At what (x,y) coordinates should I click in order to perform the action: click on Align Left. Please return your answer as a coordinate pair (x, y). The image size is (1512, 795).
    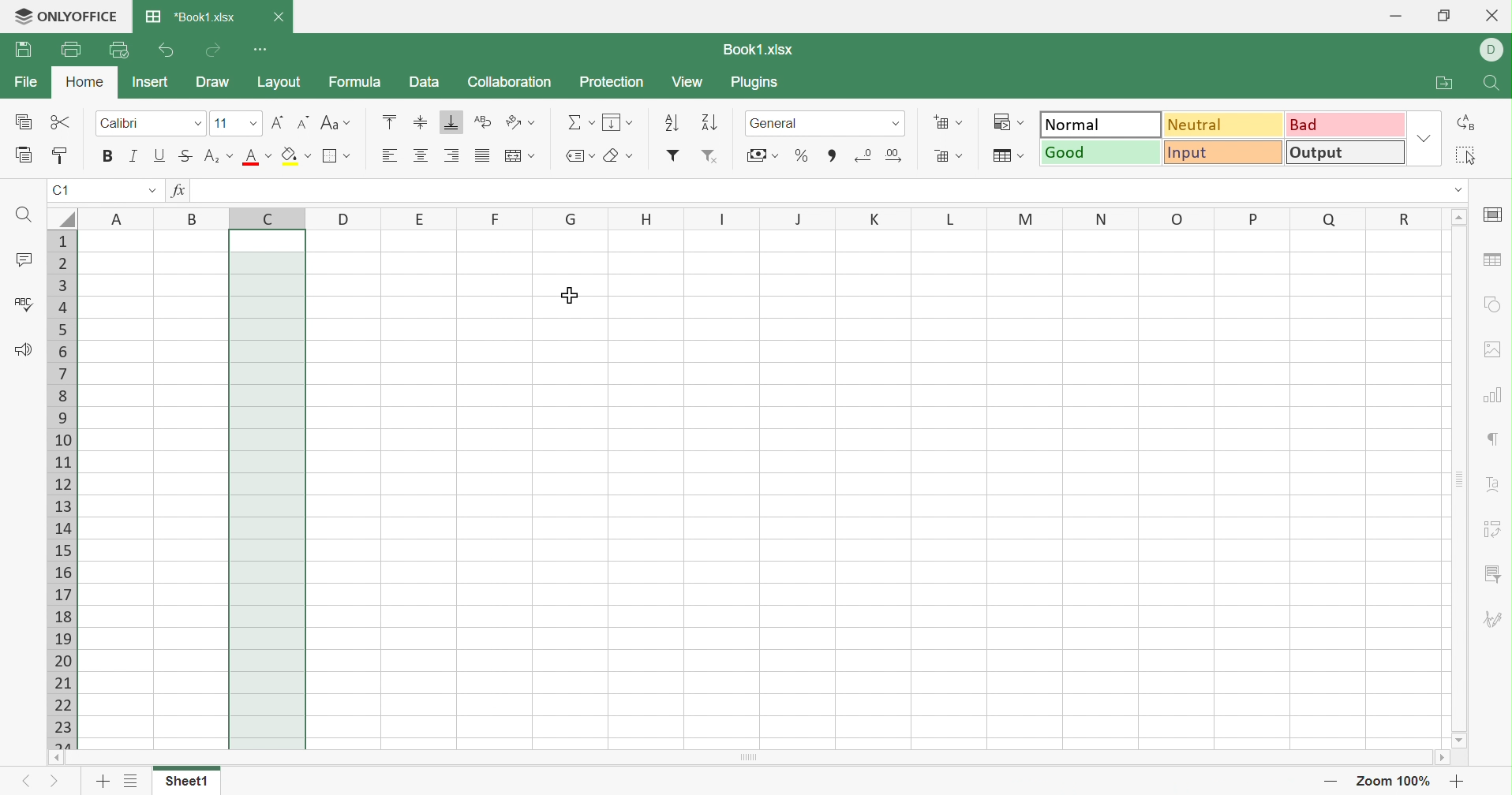
    Looking at the image, I should click on (388, 156).